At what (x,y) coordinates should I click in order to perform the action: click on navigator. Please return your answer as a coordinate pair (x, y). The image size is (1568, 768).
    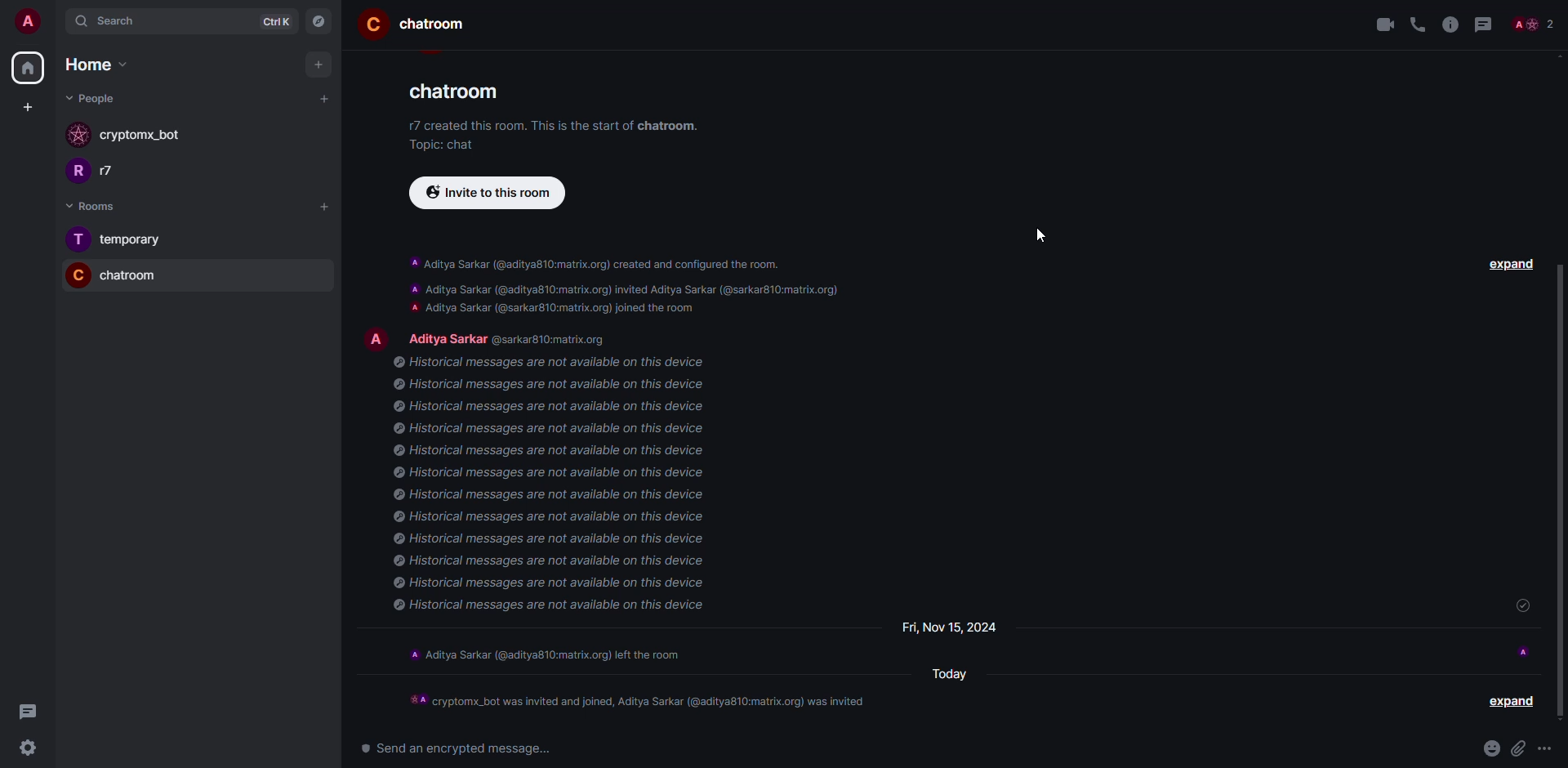
    Looking at the image, I should click on (320, 22).